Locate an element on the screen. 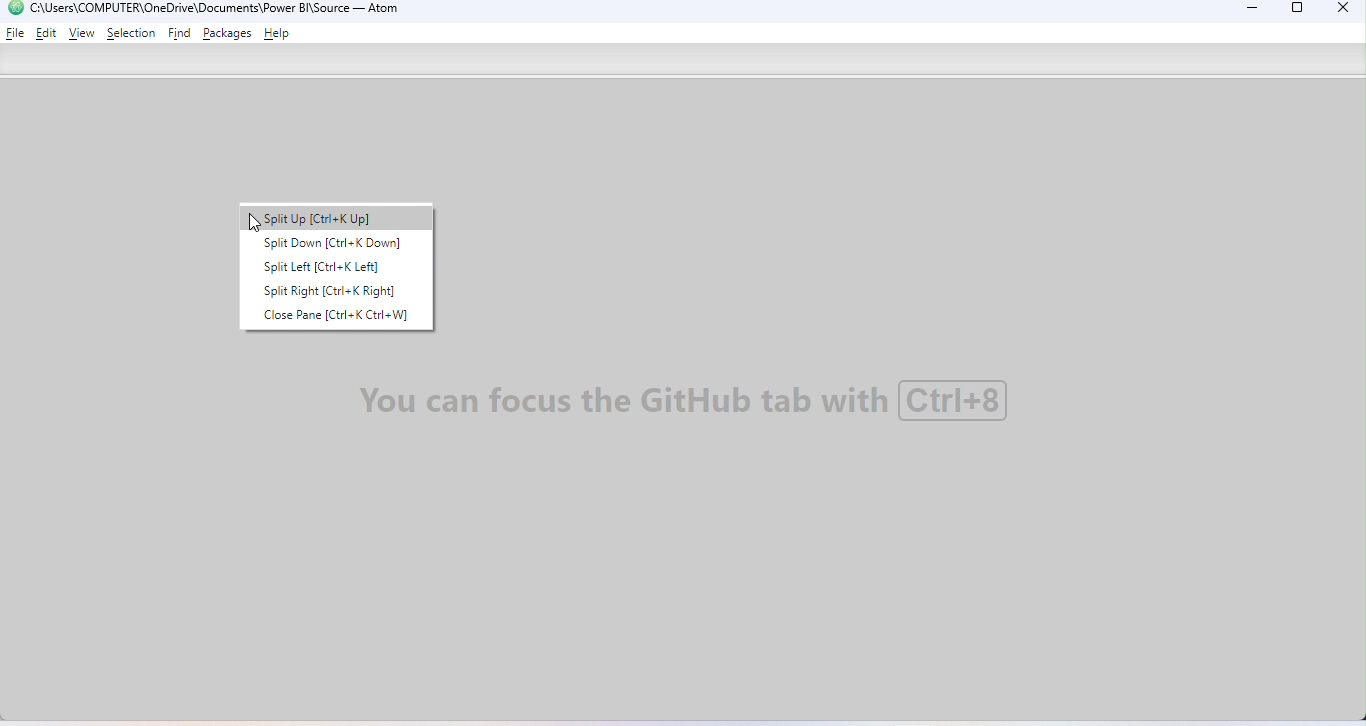  Close is located at coordinates (1338, 10).